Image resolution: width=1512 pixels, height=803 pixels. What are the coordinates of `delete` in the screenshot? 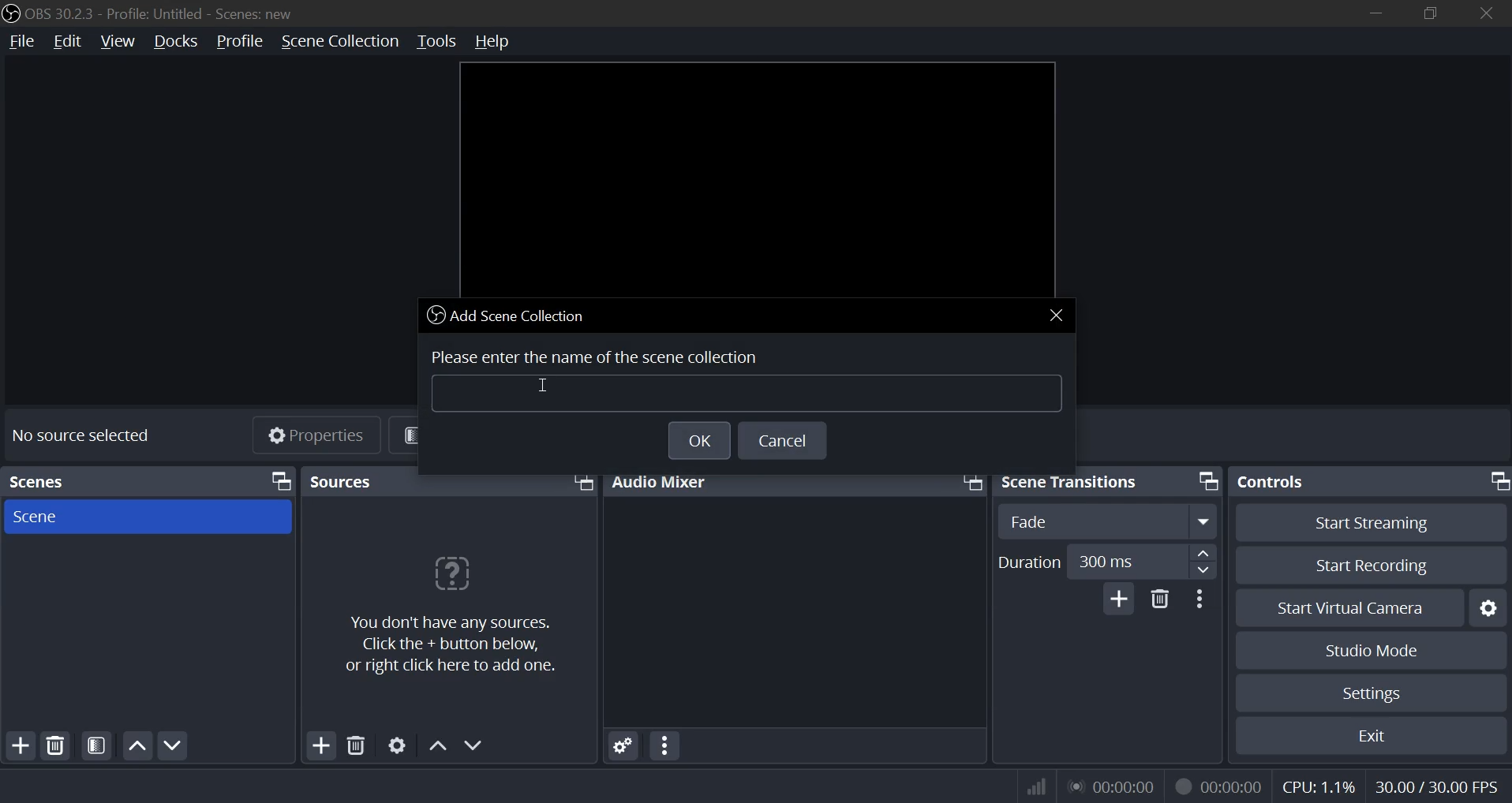 It's located at (355, 746).